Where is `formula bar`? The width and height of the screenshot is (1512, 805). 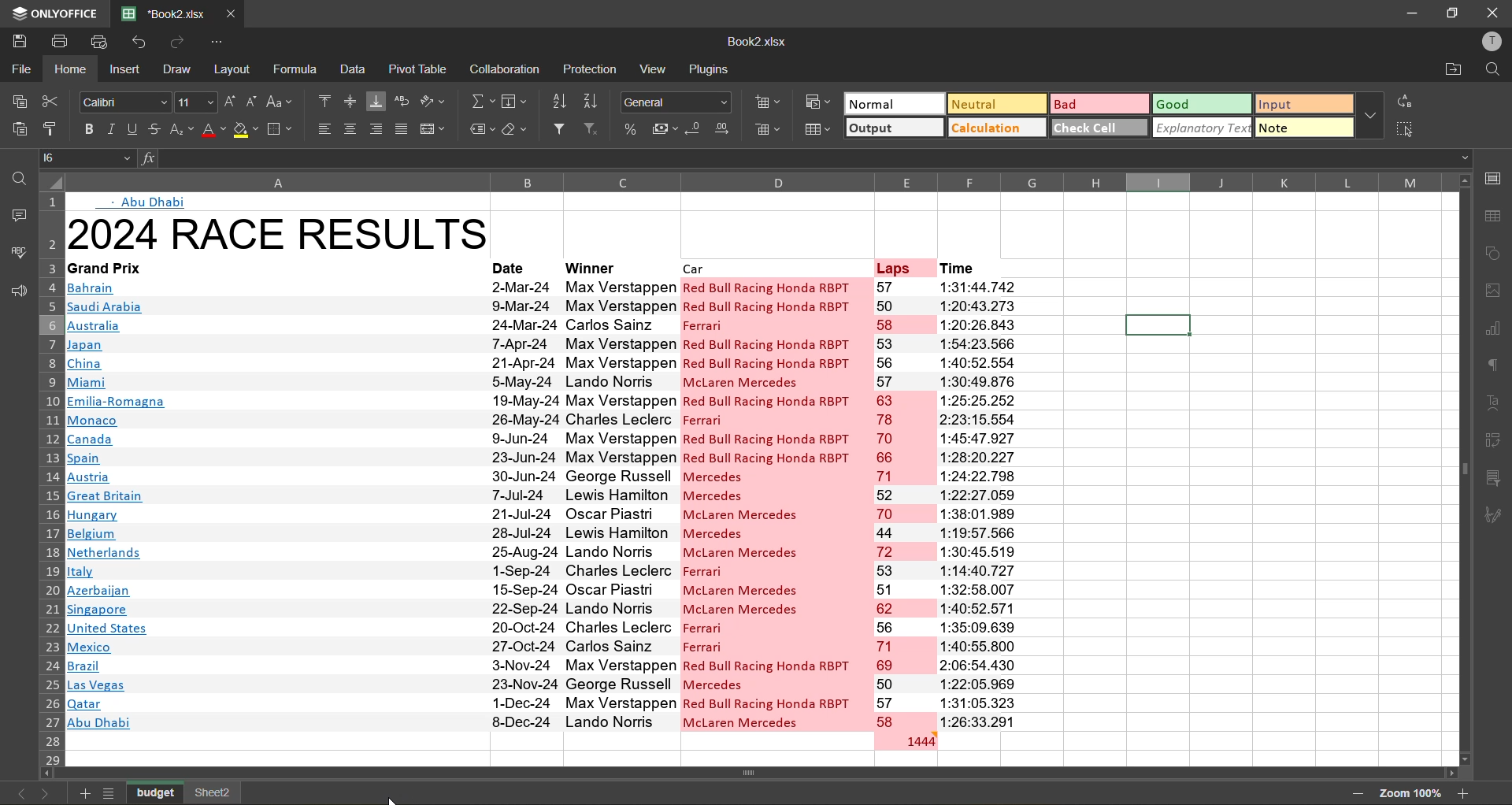
formula bar is located at coordinates (797, 158).